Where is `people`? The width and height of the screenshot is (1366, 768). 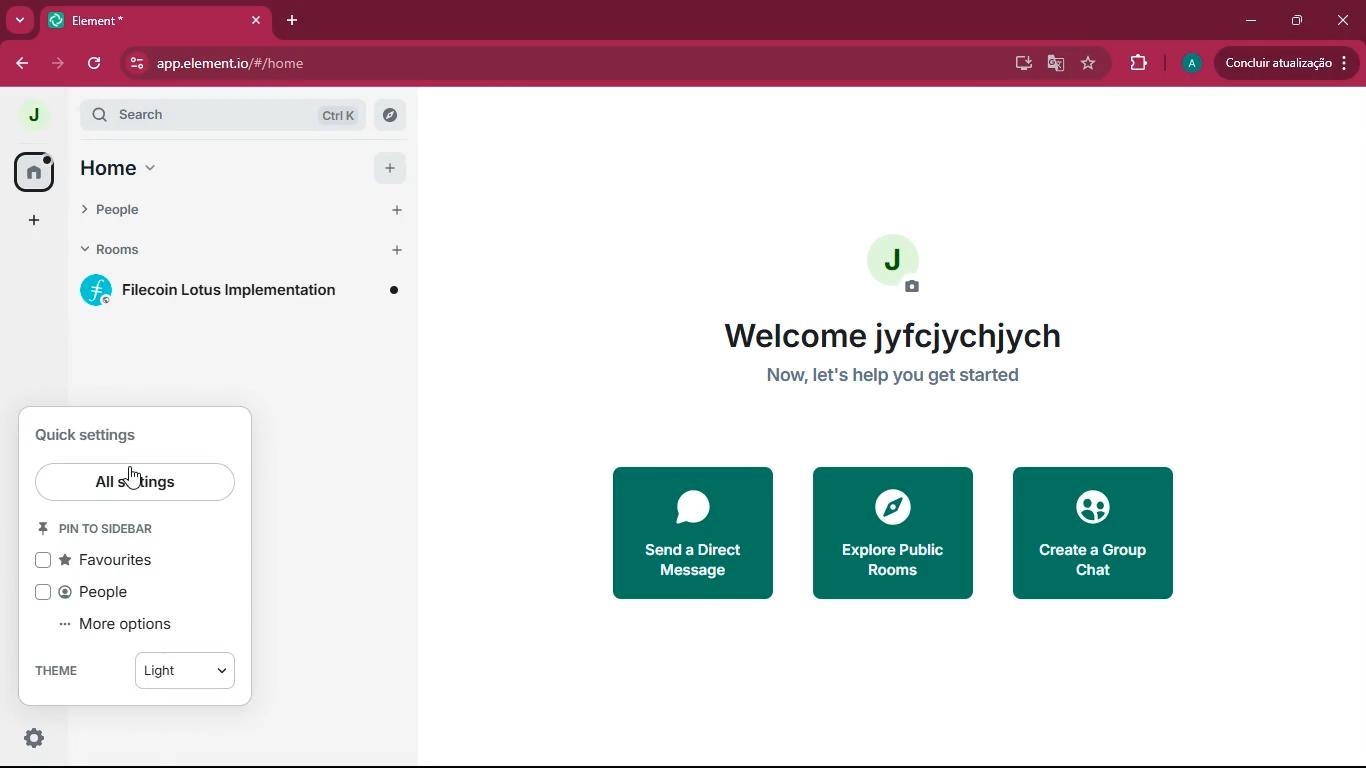 people is located at coordinates (92, 594).